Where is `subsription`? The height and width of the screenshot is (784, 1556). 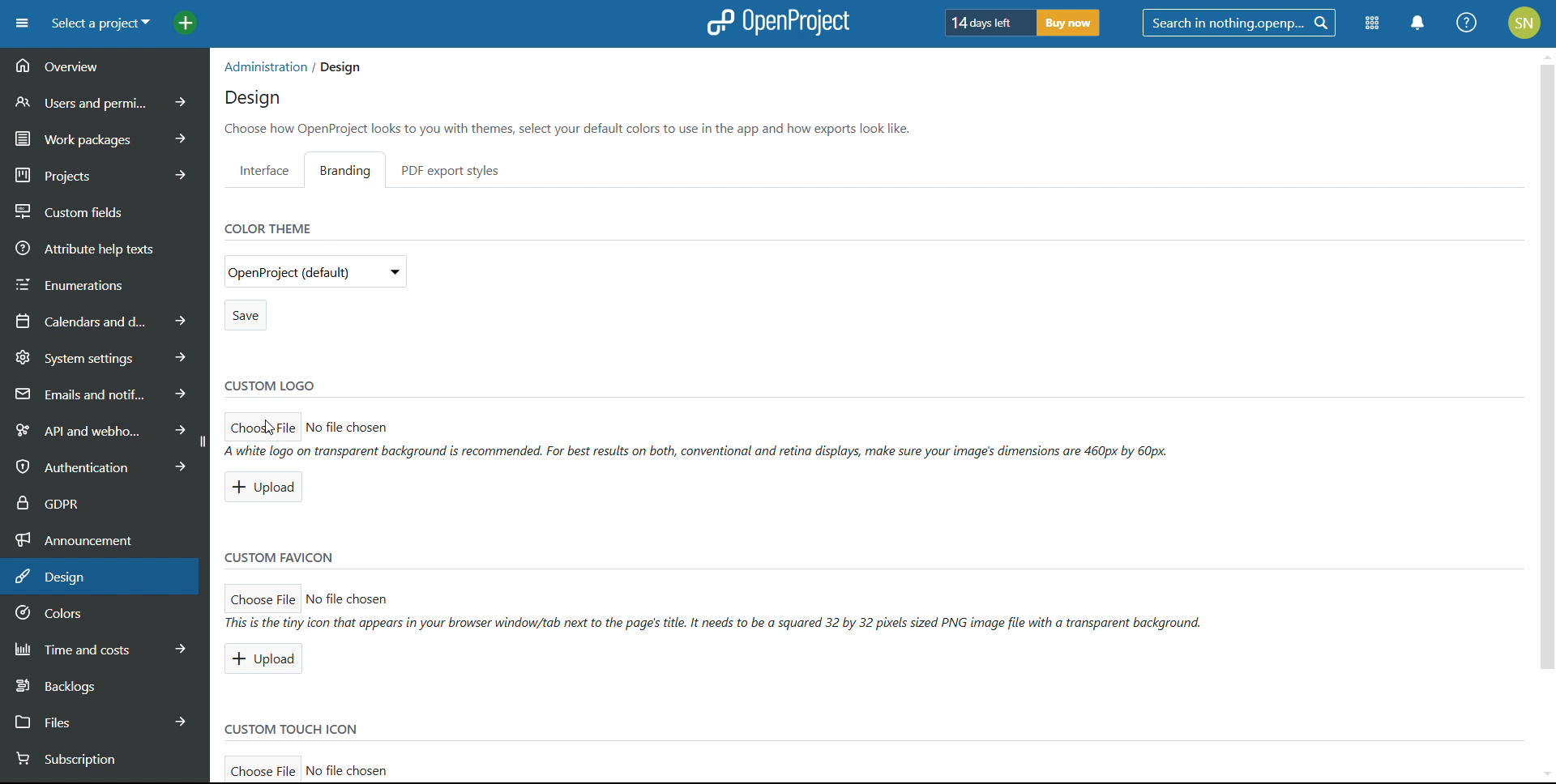 subsription is located at coordinates (93, 760).